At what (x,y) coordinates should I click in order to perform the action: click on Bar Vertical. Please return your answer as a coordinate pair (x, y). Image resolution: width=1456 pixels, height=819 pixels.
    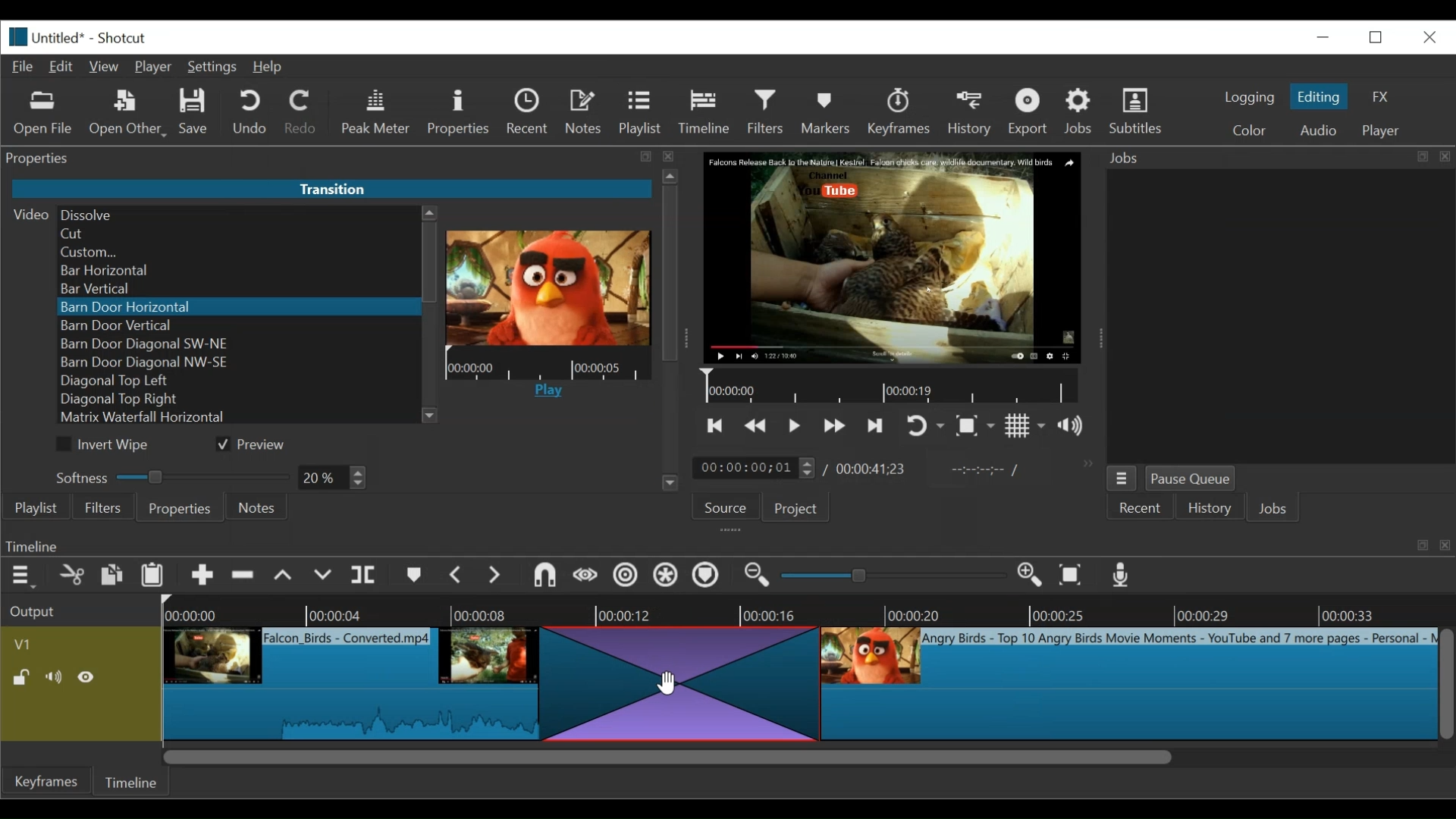
    Looking at the image, I should click on (236, 290).